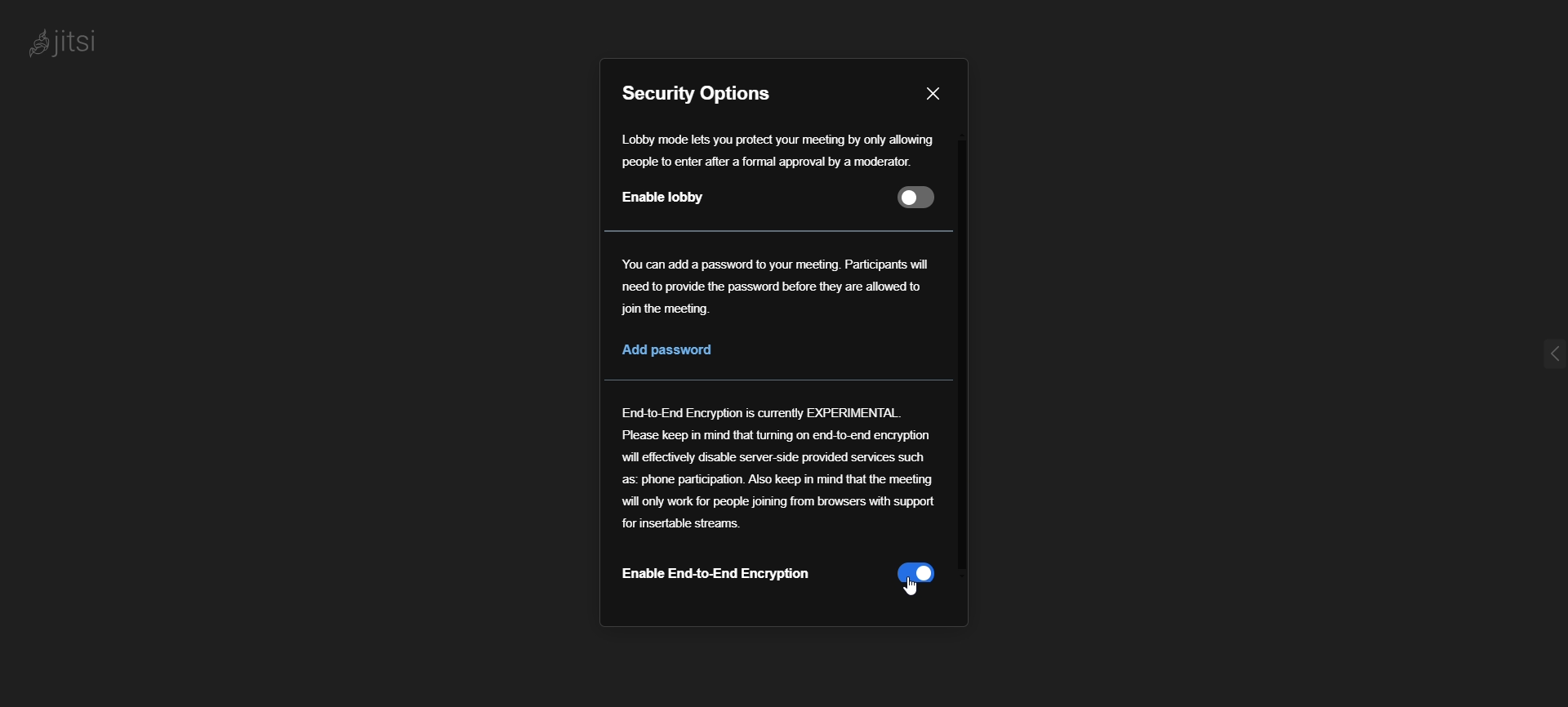 The width and height of the screenshot is (1568, 707). Describe the element at coordinates (1533, 359) in the screenshot. I see `expand` at that location.